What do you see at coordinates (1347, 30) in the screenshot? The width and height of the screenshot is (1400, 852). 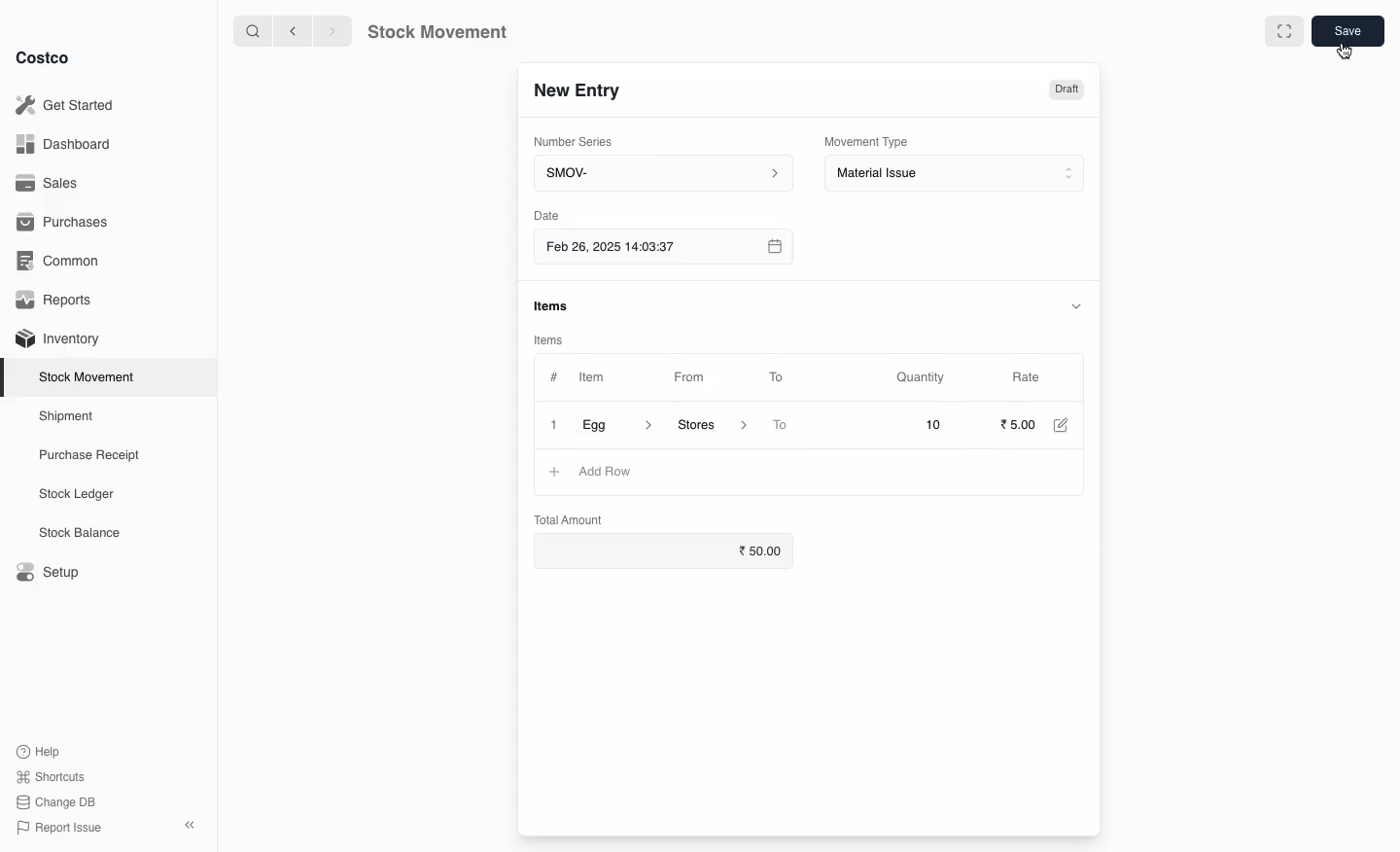 I see `save` at bounding box center [1347, 30].